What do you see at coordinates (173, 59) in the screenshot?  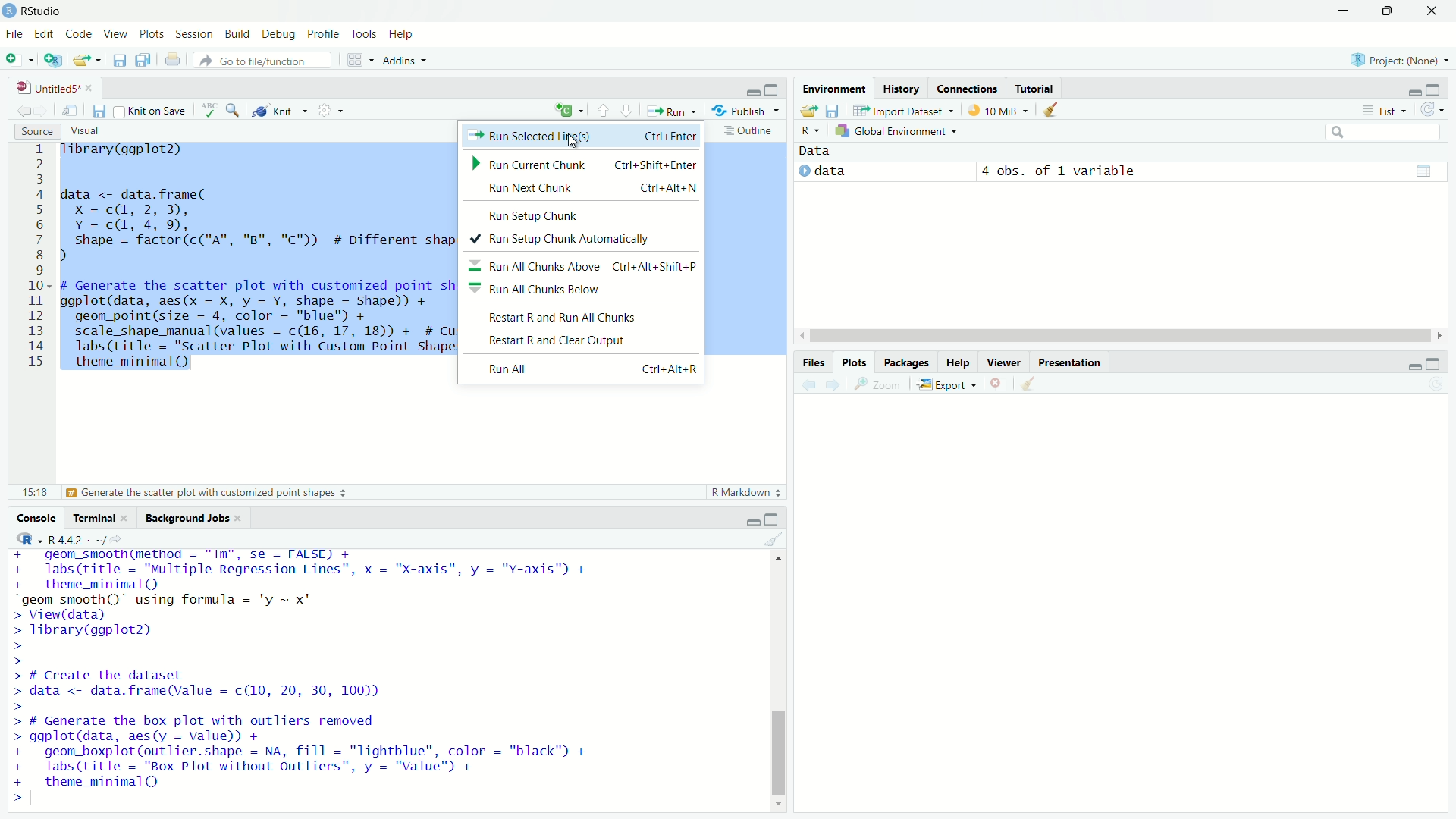 I see `Print the current file` at bounding box center [173, 59].